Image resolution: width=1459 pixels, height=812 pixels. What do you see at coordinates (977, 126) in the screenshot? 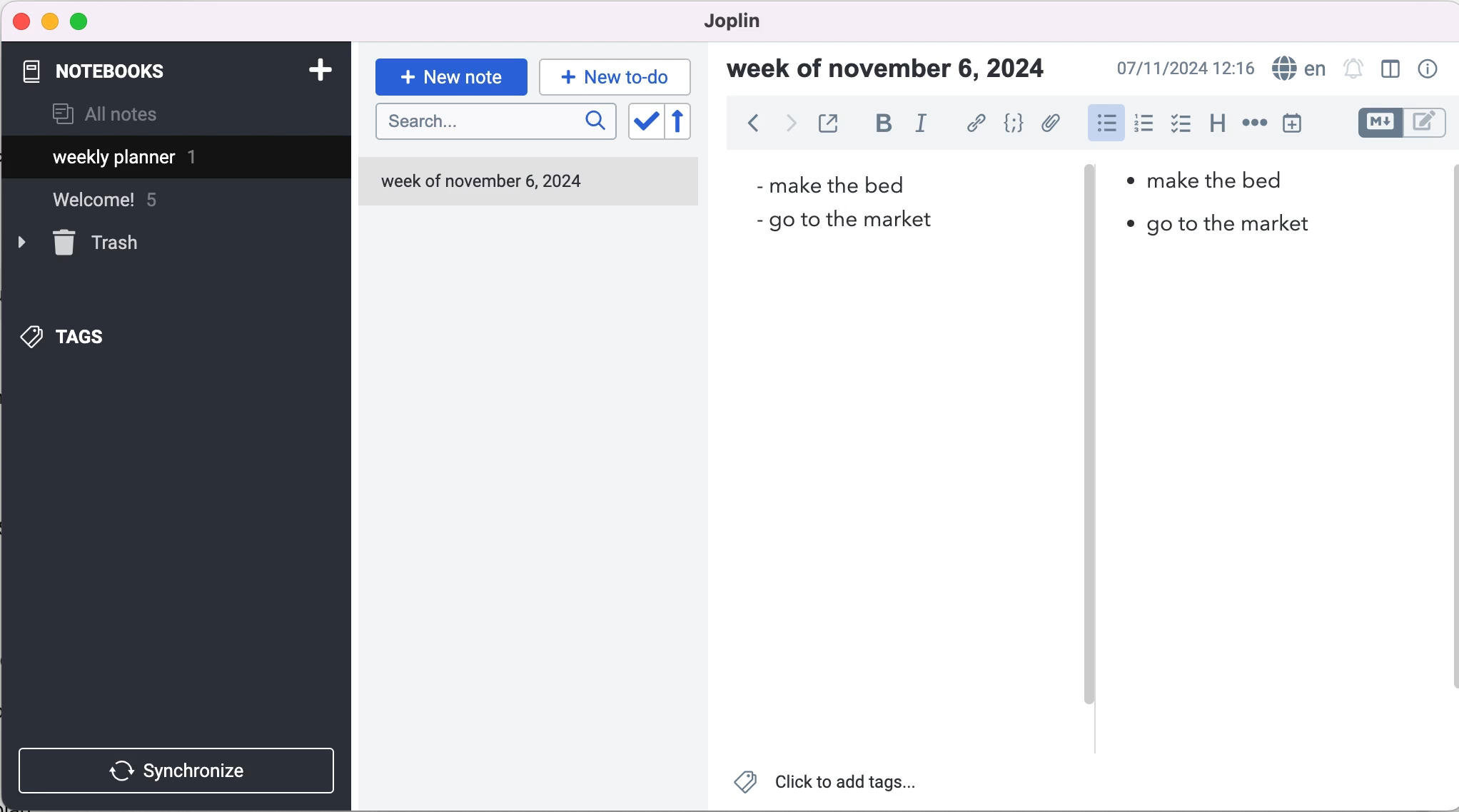
I see `hyperlink` at bounding box center [977, 126].